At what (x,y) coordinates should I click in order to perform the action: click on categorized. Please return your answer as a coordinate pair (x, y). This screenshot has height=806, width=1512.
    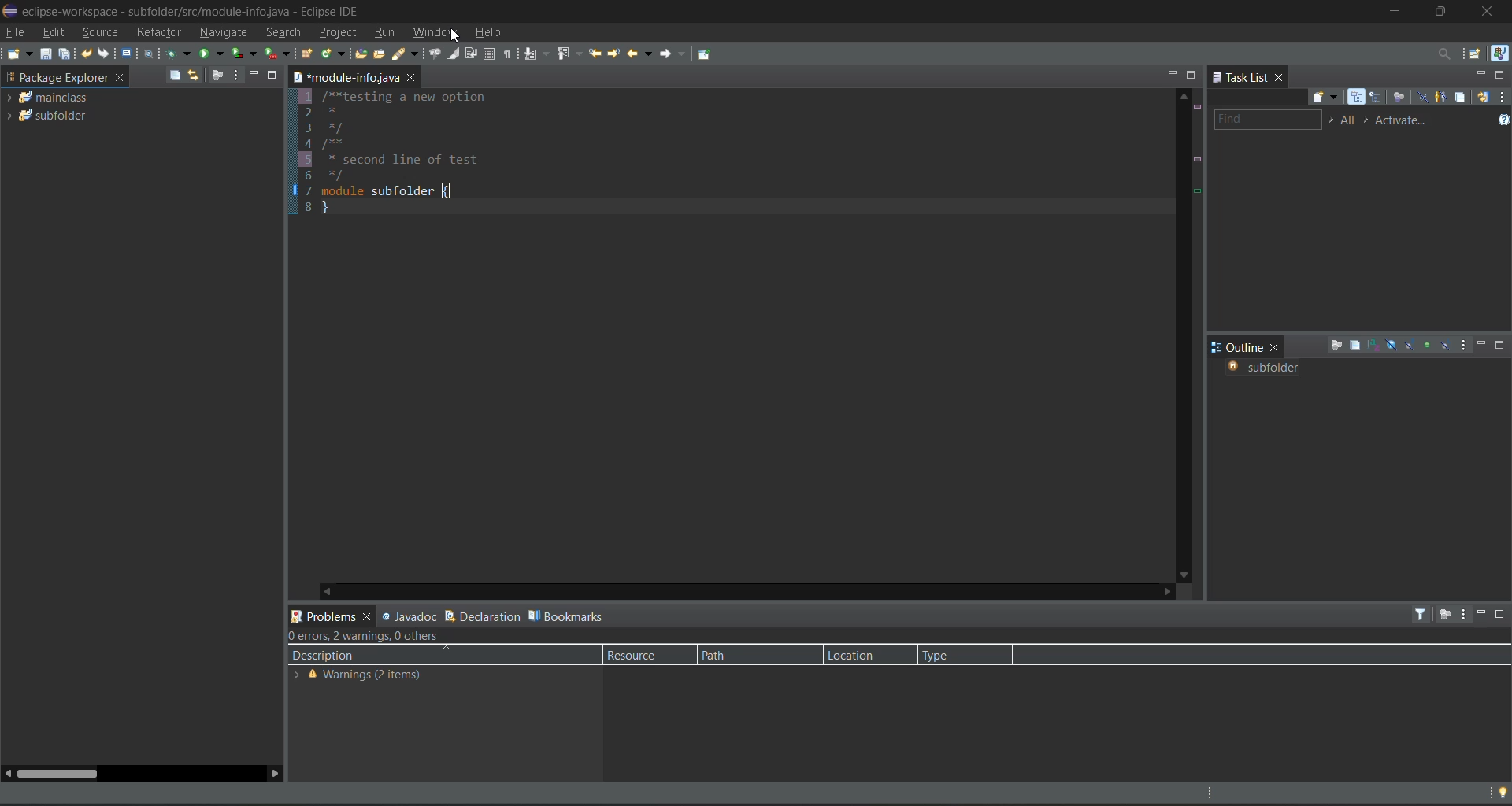
    Looking at the image, I should click on (1358, 98).